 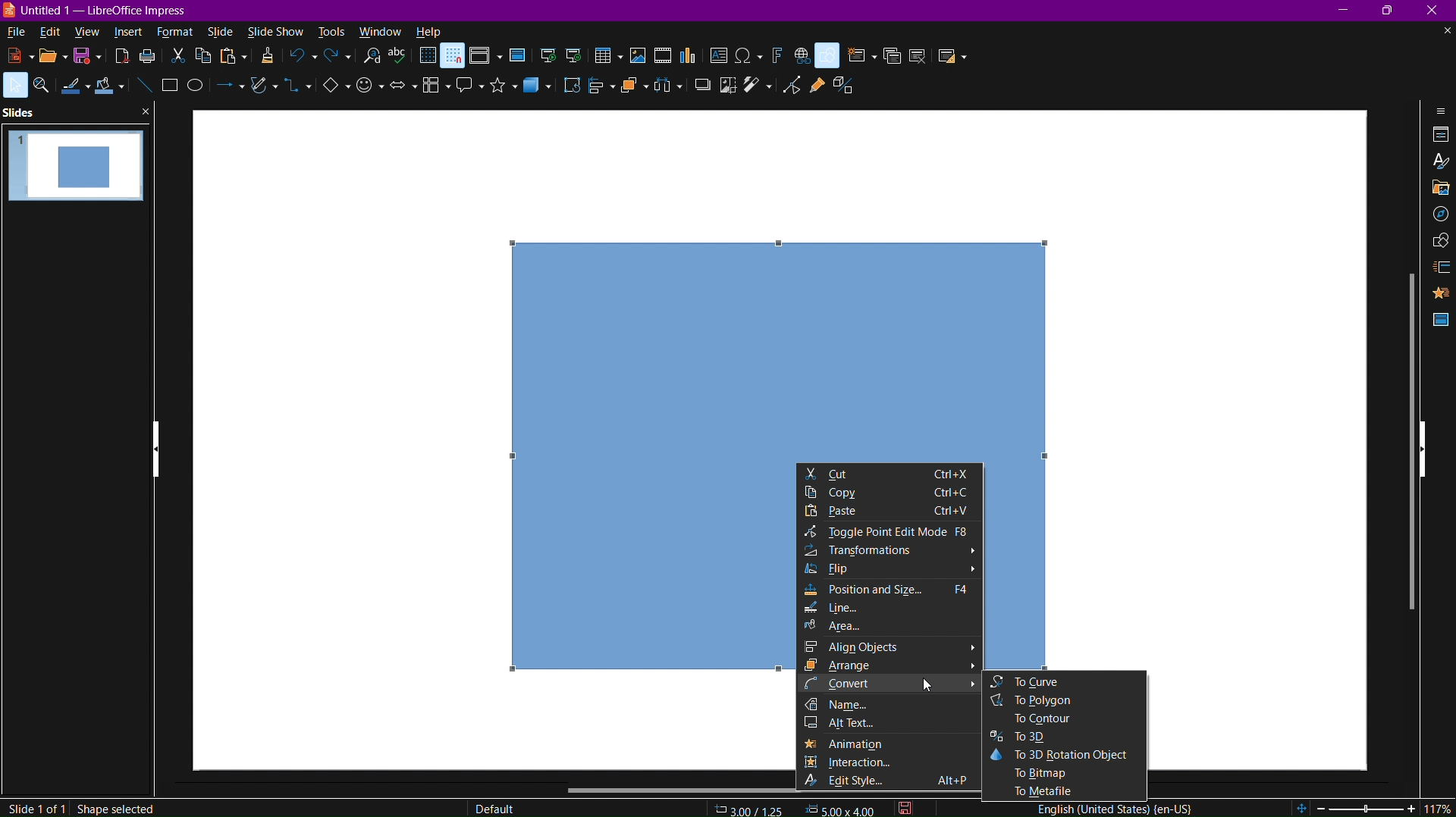 What do you see at coordinates (379, 30) in the screenshot?
I see `window` at bounding box center [379, 30].